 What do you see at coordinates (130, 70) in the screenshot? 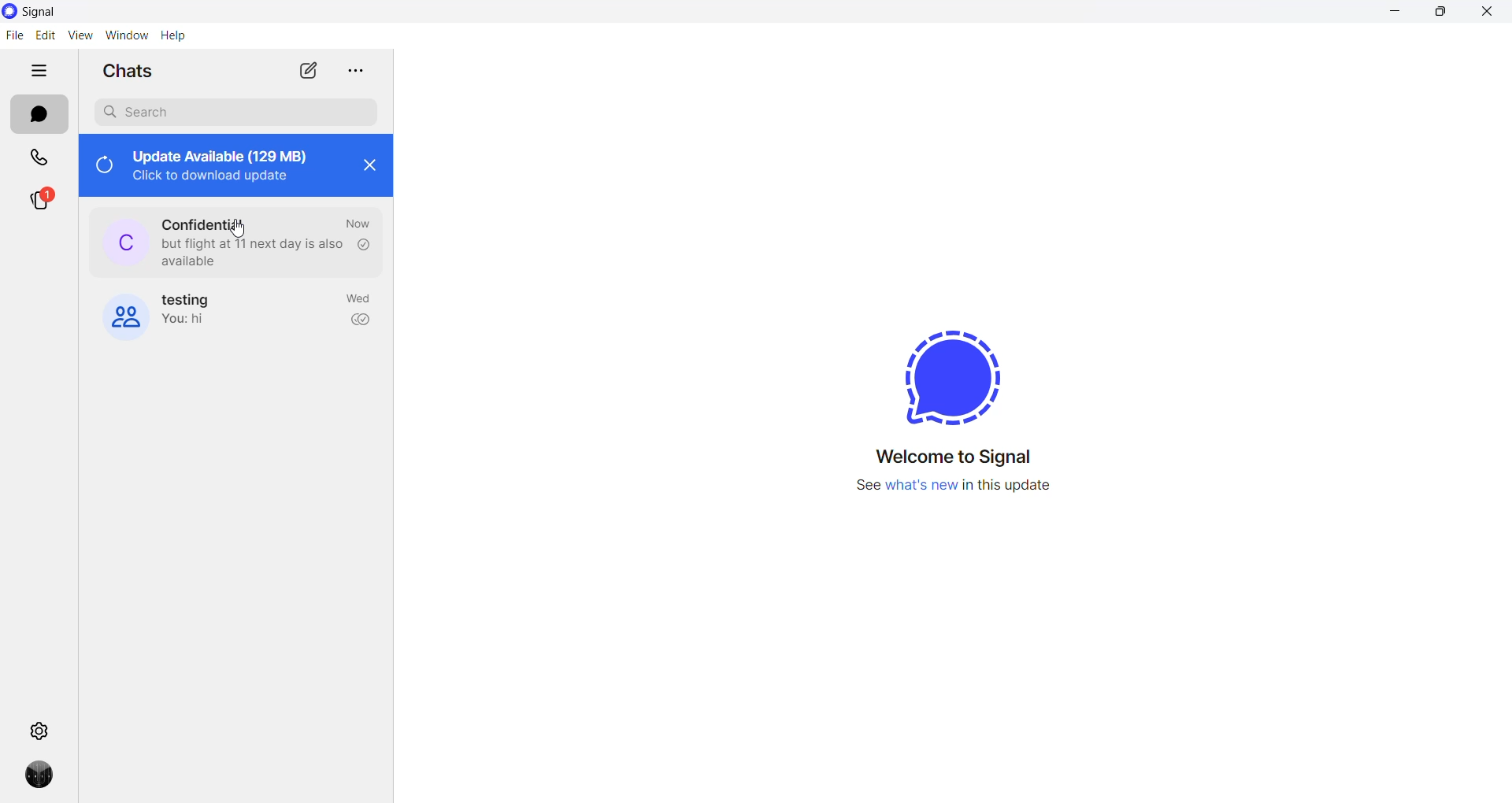
I see `chats heading` at bounding box center [130, 70].